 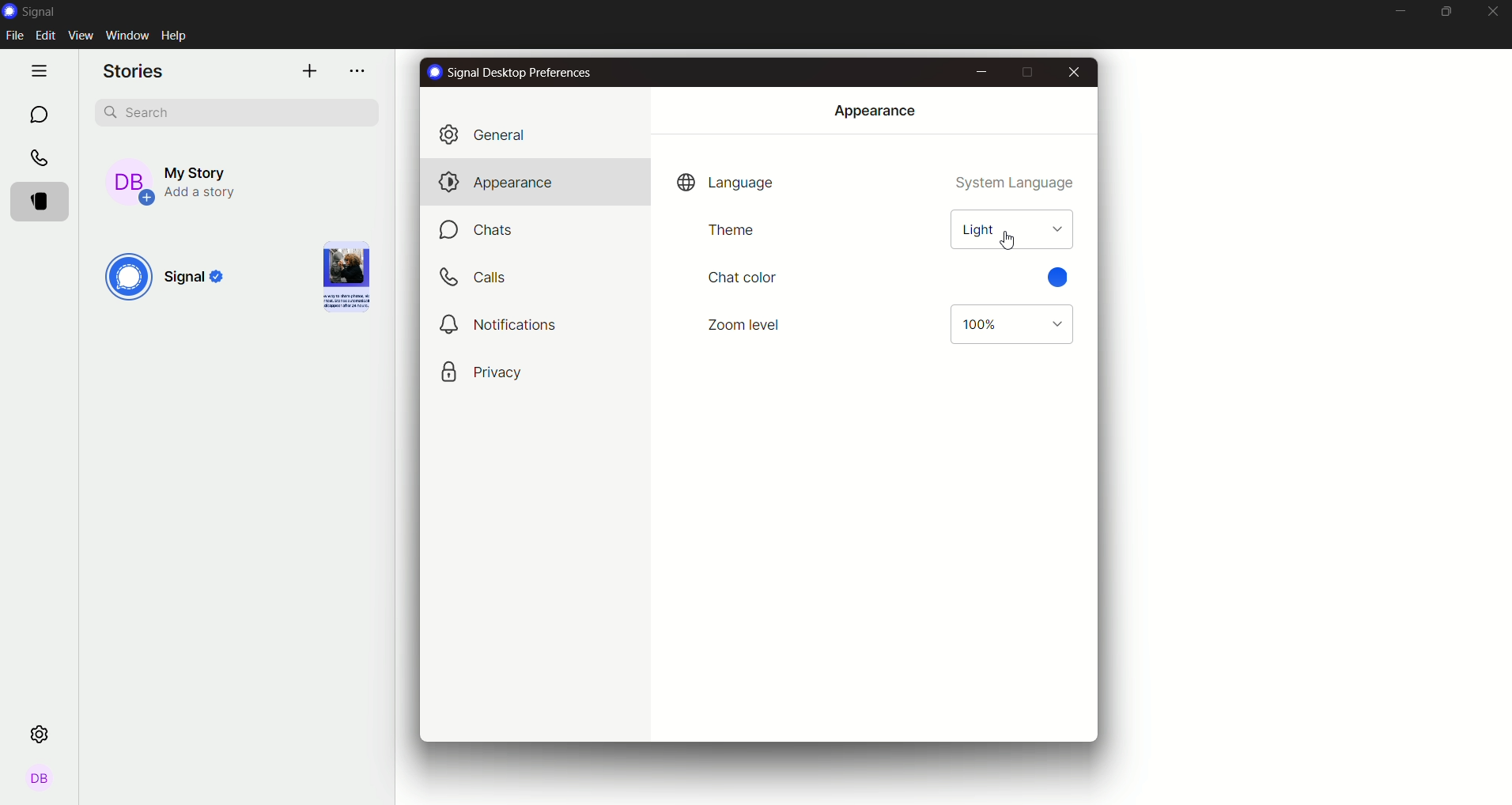 I want to click on help, so click(x=178, y=35).